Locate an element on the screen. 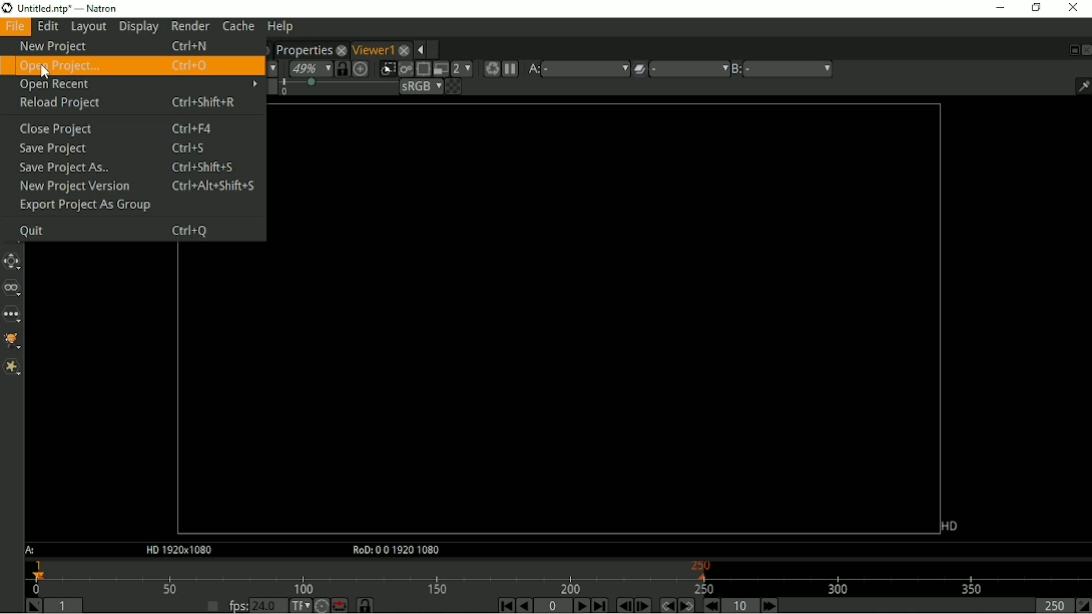 The width and height of the screenshot is (1092, 614). Edit is located at coordinates (47, 27).